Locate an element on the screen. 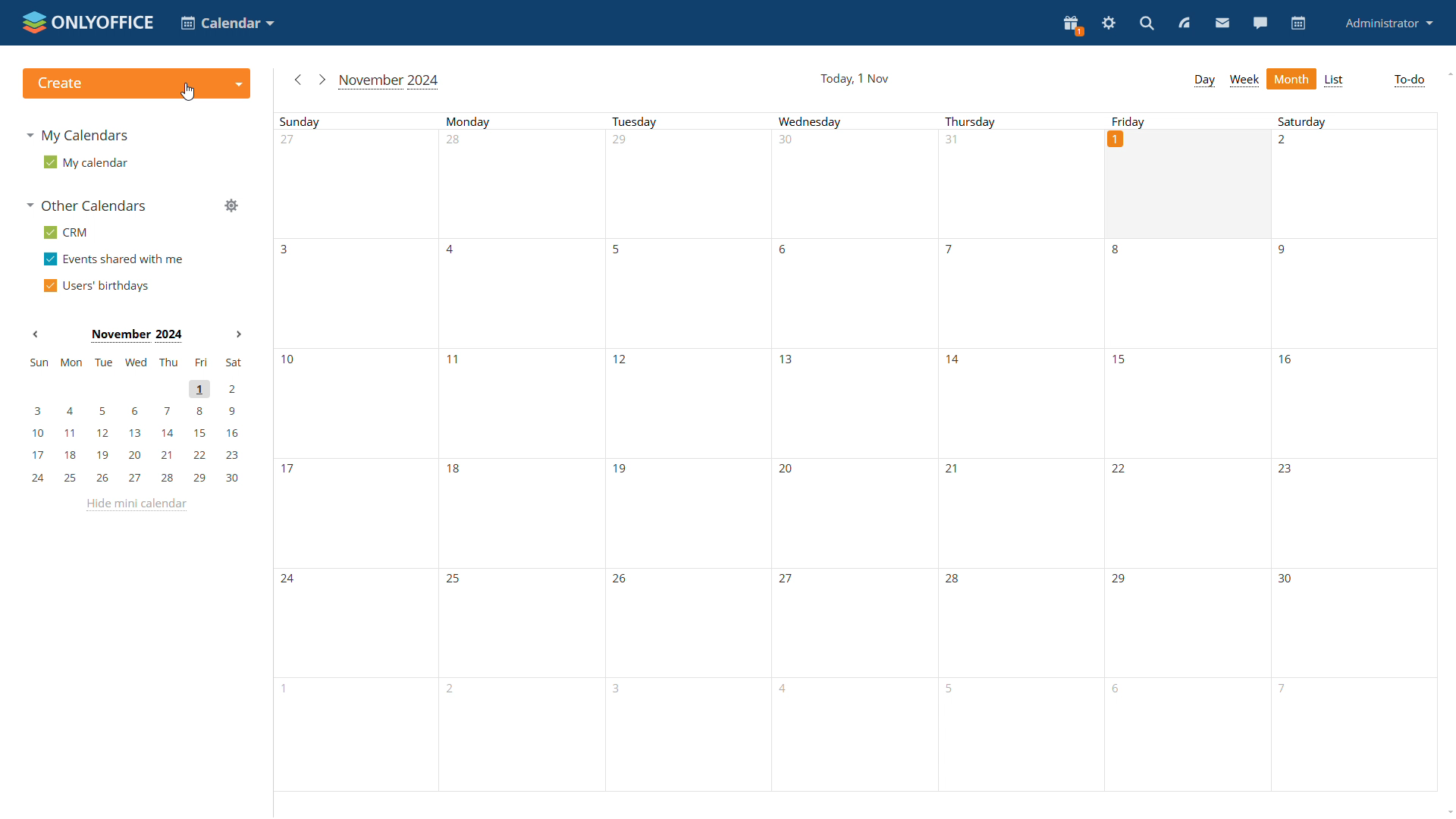  my calendars is located at coordinates (80, 133).